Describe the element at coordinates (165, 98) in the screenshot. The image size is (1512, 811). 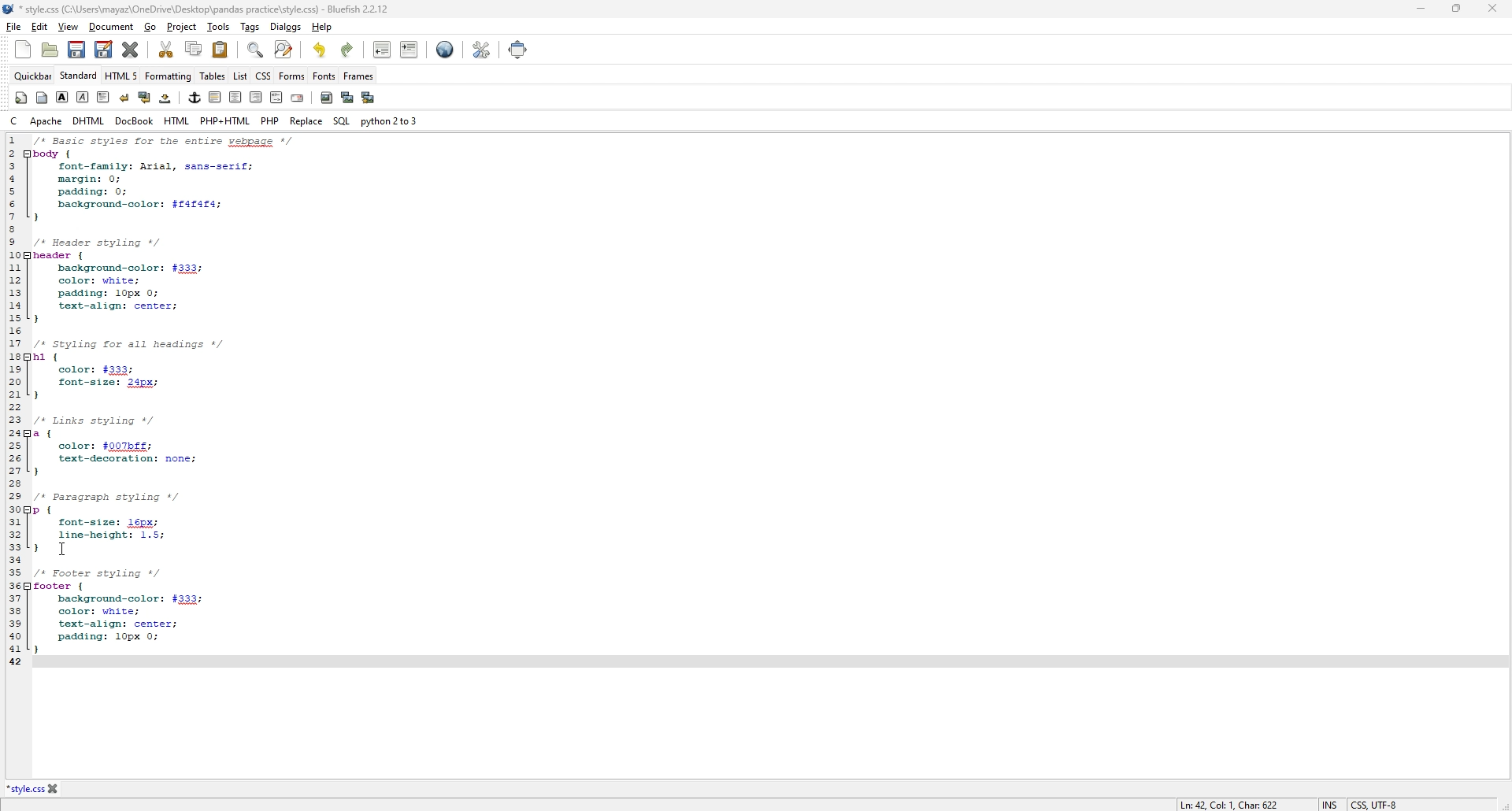
I see `non-breaking space` at that location.